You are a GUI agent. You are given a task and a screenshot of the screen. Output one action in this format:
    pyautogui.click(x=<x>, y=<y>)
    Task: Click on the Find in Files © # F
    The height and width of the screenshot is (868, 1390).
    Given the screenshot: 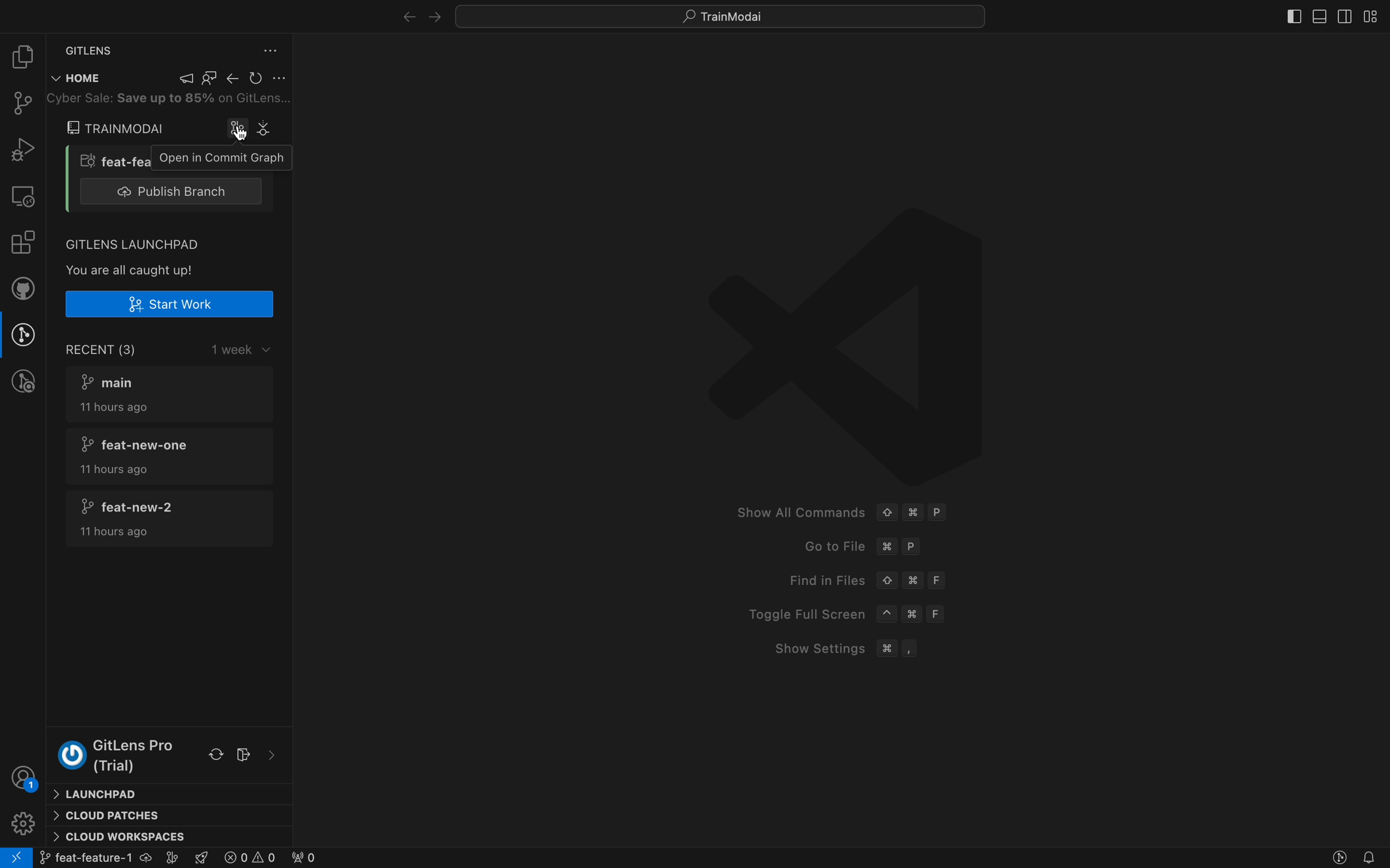 What is the action you would take?
    pyautogui.click(x=853, y=578)
    